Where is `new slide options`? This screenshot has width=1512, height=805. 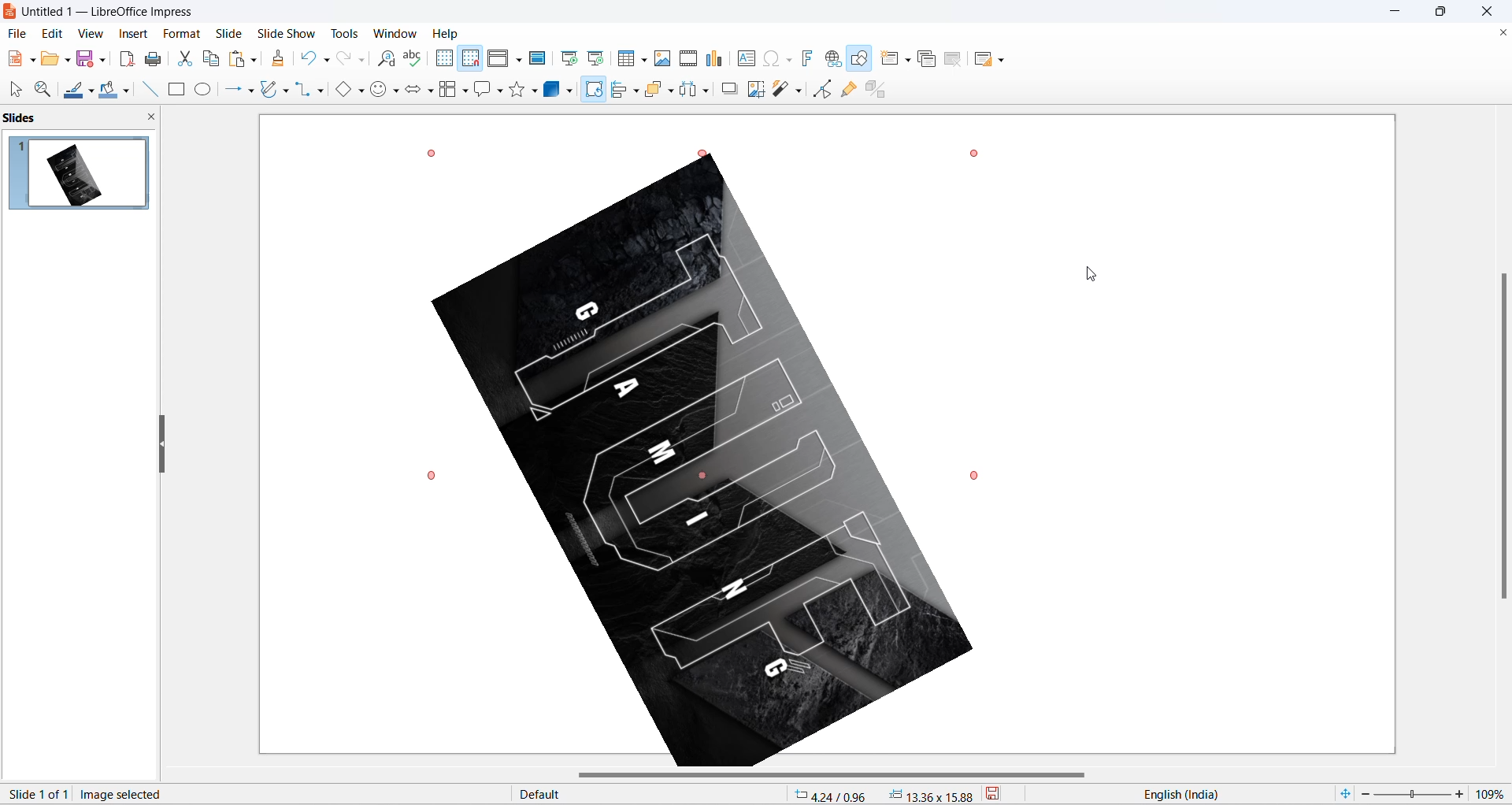 new slide options is located at coordinates (910, 60).